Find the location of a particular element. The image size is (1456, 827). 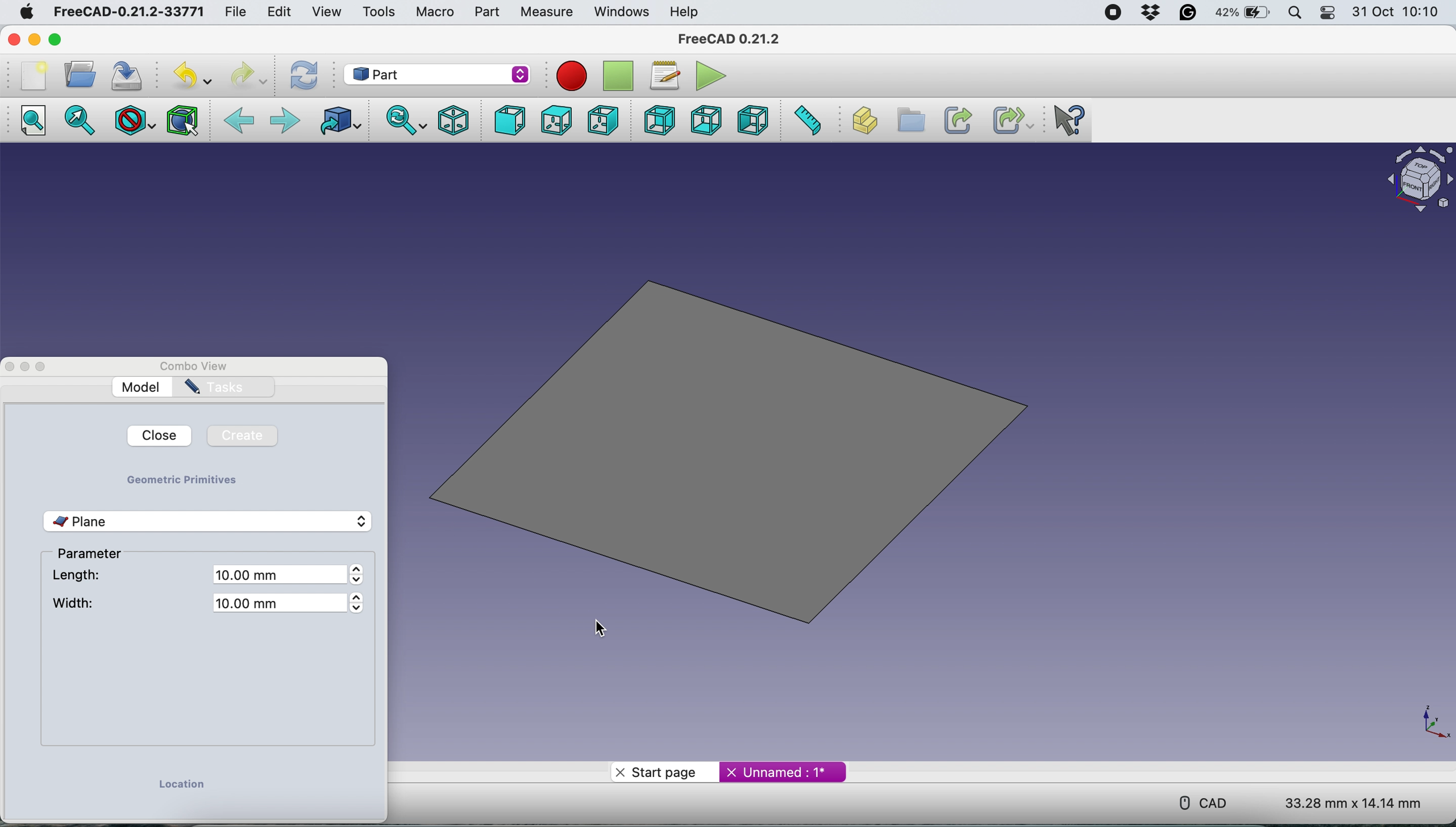

Forward is located at coordinates (286, 120).